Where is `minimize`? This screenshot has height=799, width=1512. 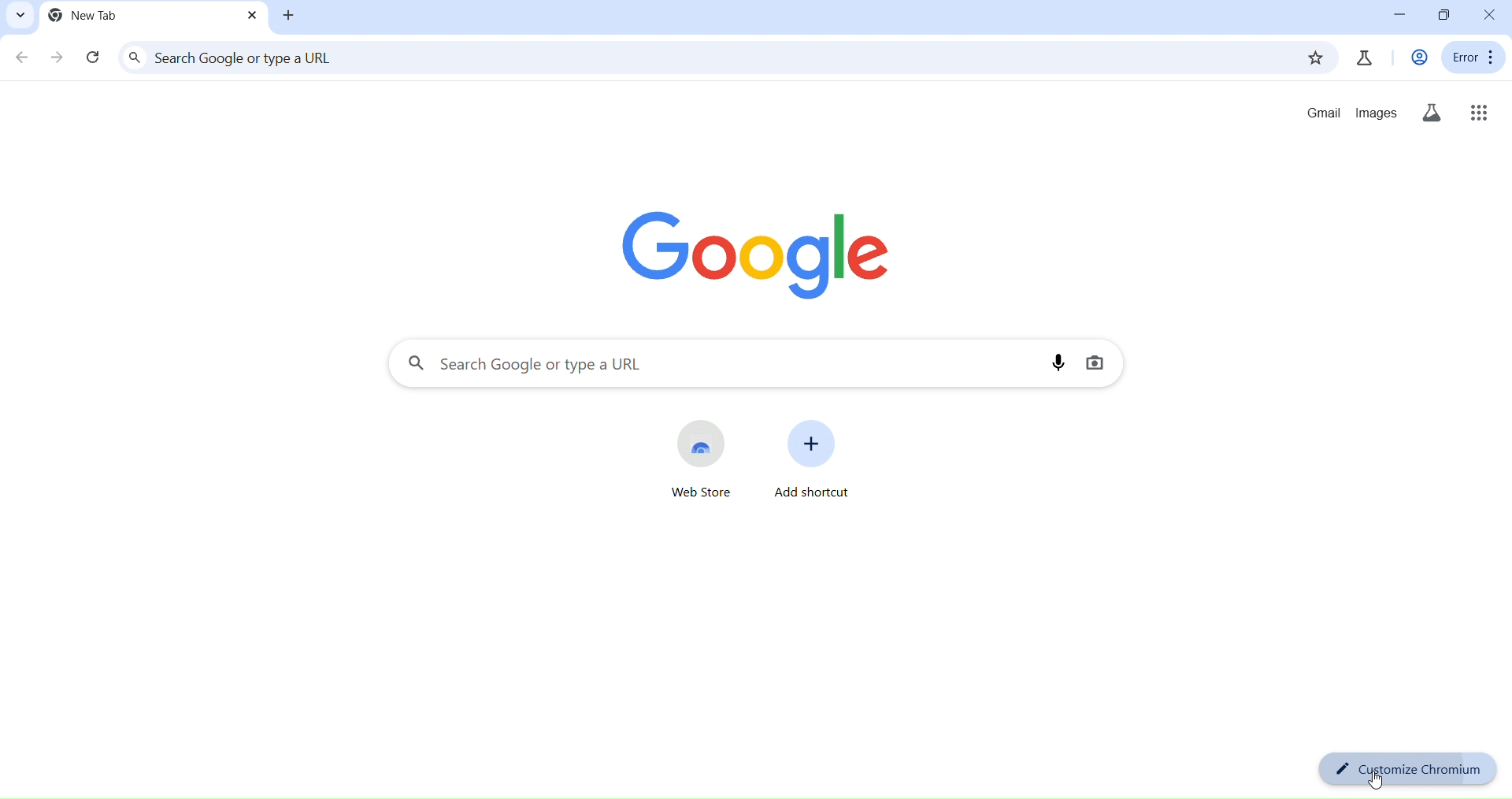
minimize is located at coordinates (1399, 16).